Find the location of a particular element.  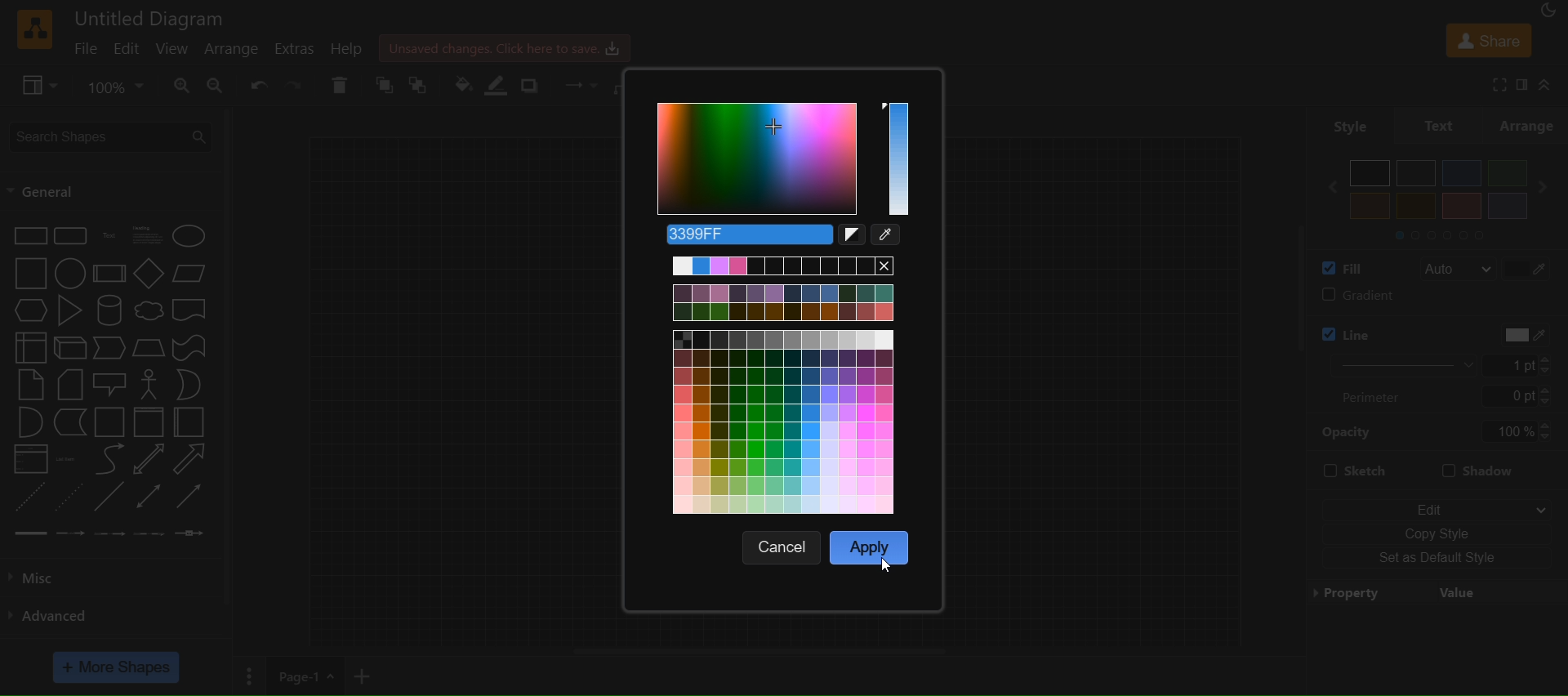

diamond is located at coordinates (149, 275).